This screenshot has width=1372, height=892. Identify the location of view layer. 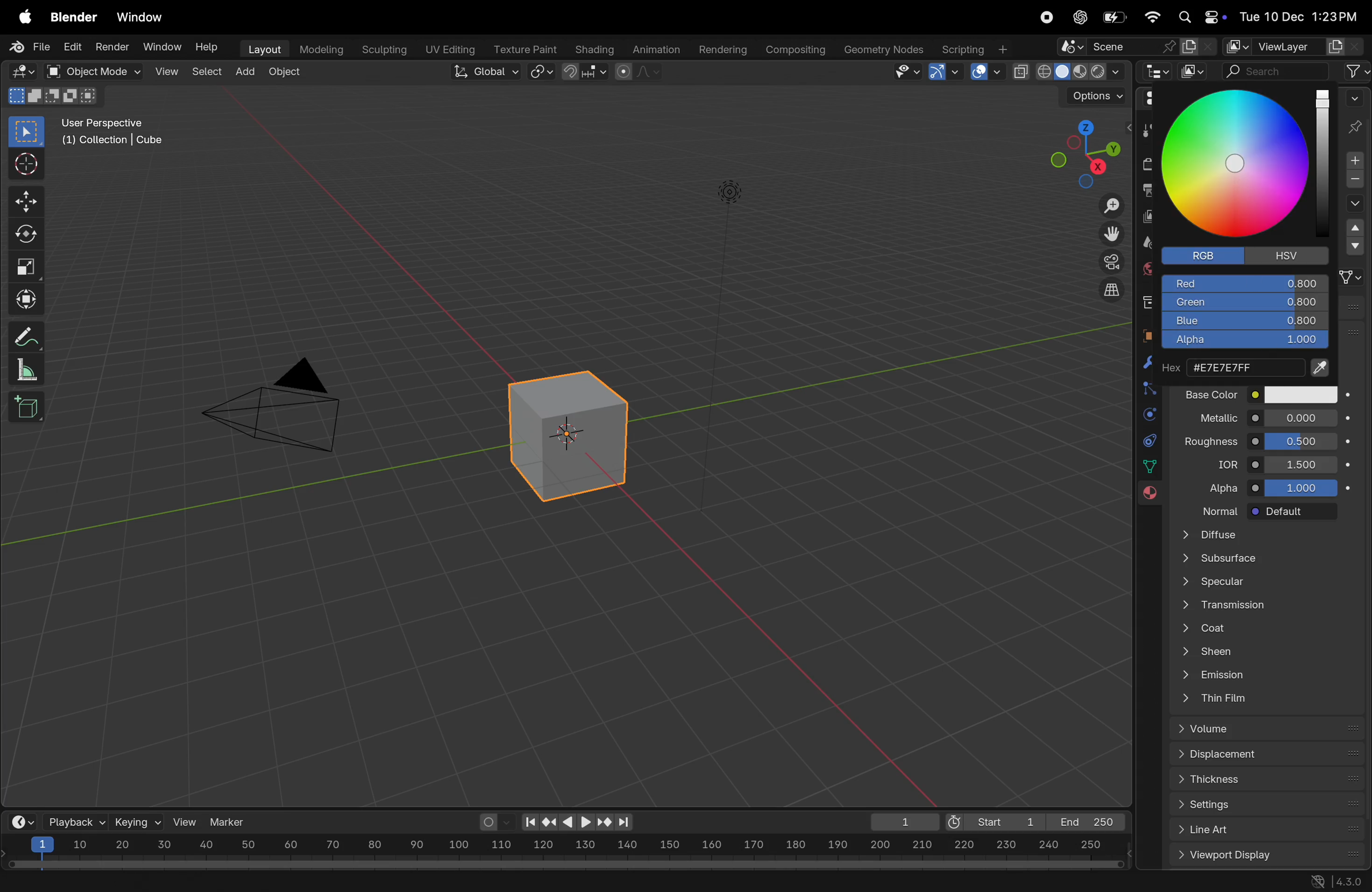
(1145, 217).